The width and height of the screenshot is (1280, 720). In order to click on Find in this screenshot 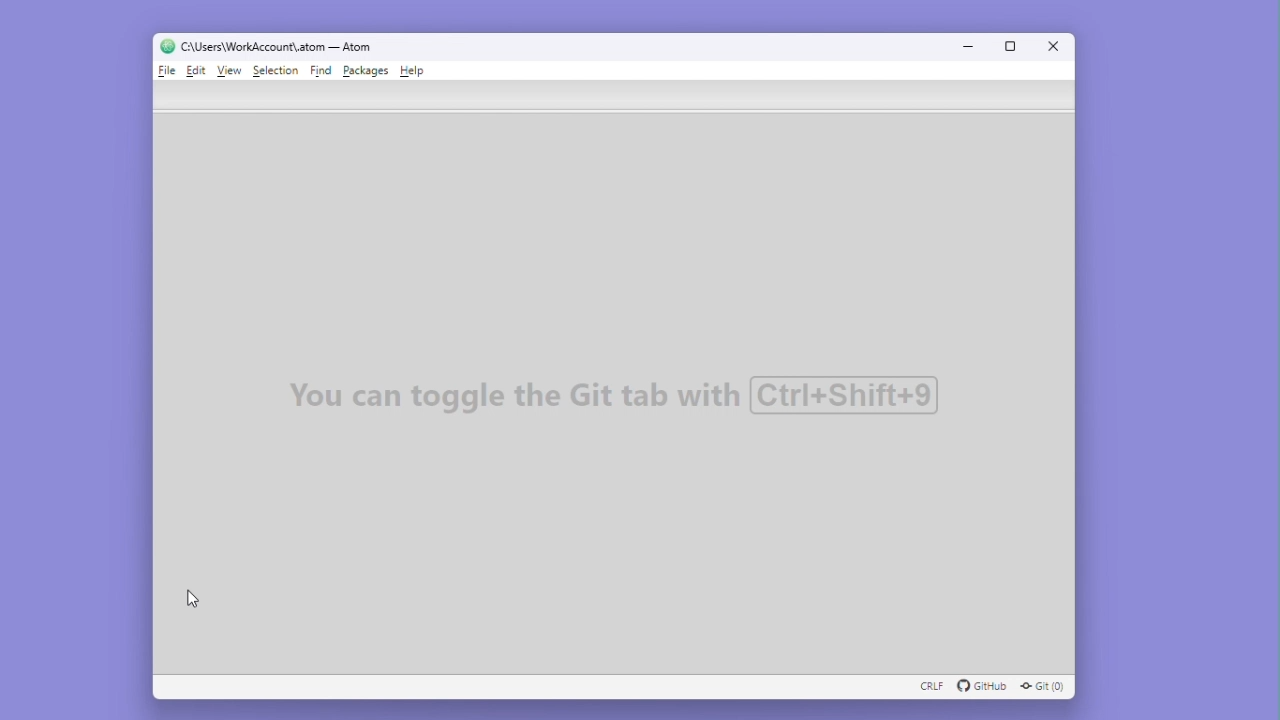, I will do `click(322, 71)`.